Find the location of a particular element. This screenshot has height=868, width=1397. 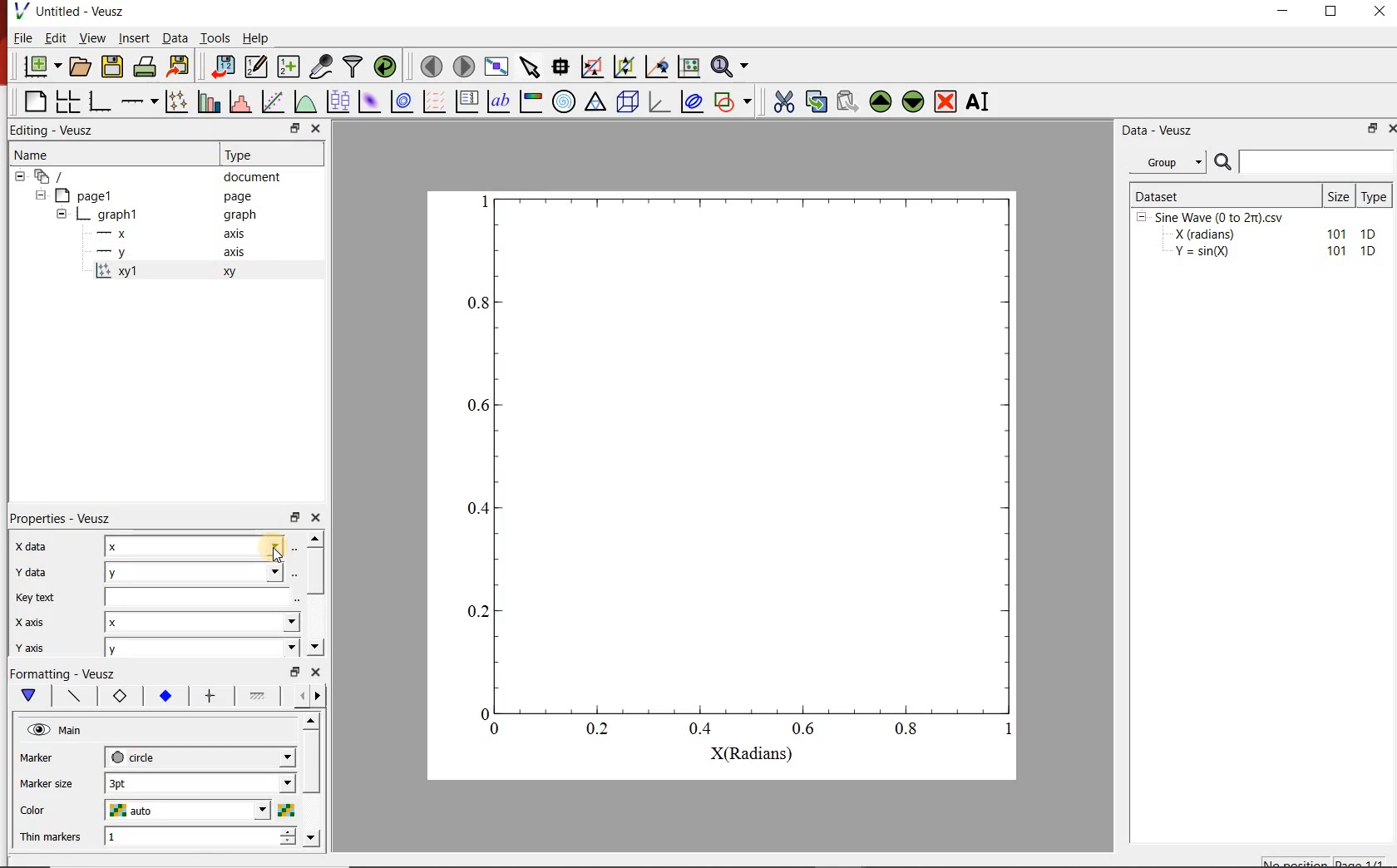

Cursor is located at coordinates (274, 557).